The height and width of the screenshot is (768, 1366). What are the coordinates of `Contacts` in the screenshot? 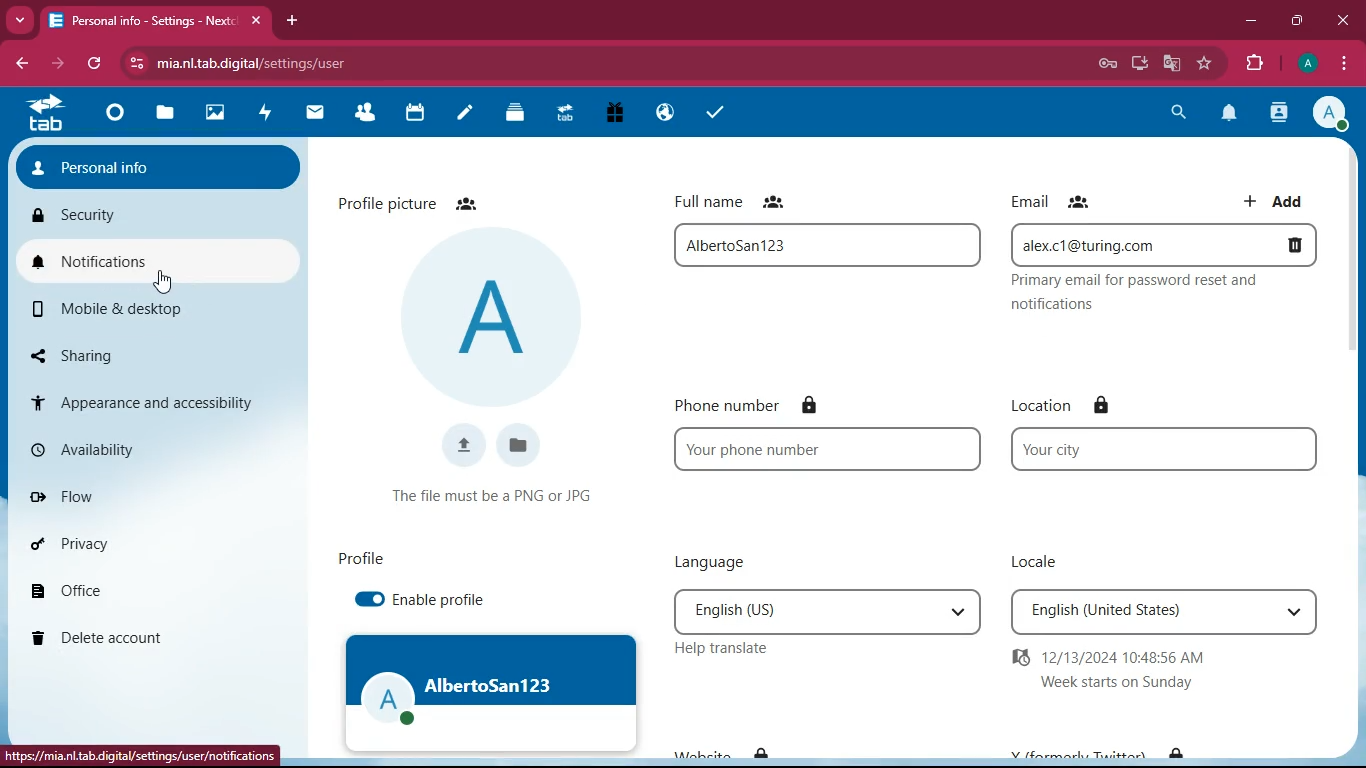 It's located at (368, 114).